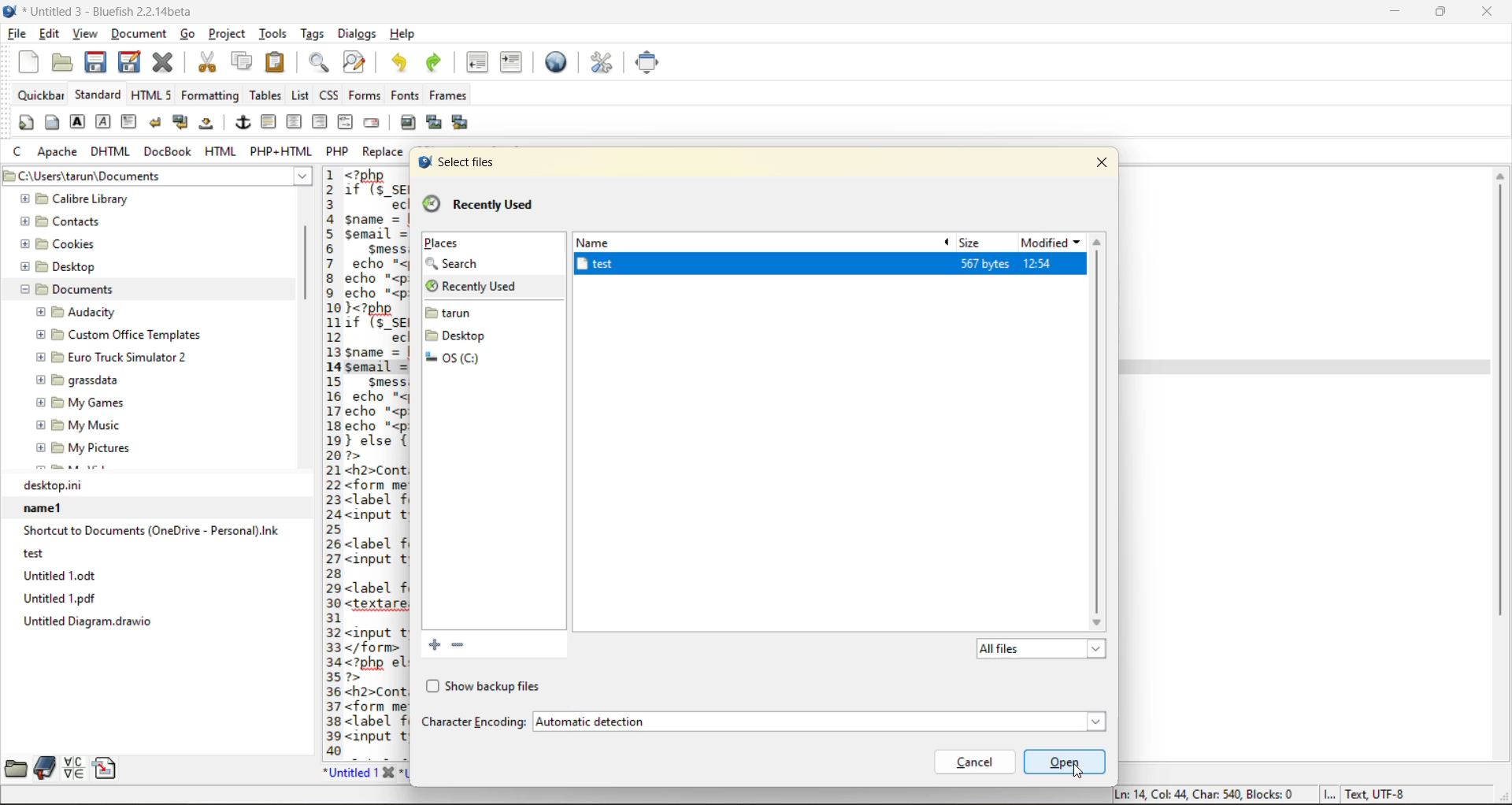 This screenshot has width=1512, height=805. Describe the element at coordinates (345, 122) in the screenshot. I see `html comment` at that location.